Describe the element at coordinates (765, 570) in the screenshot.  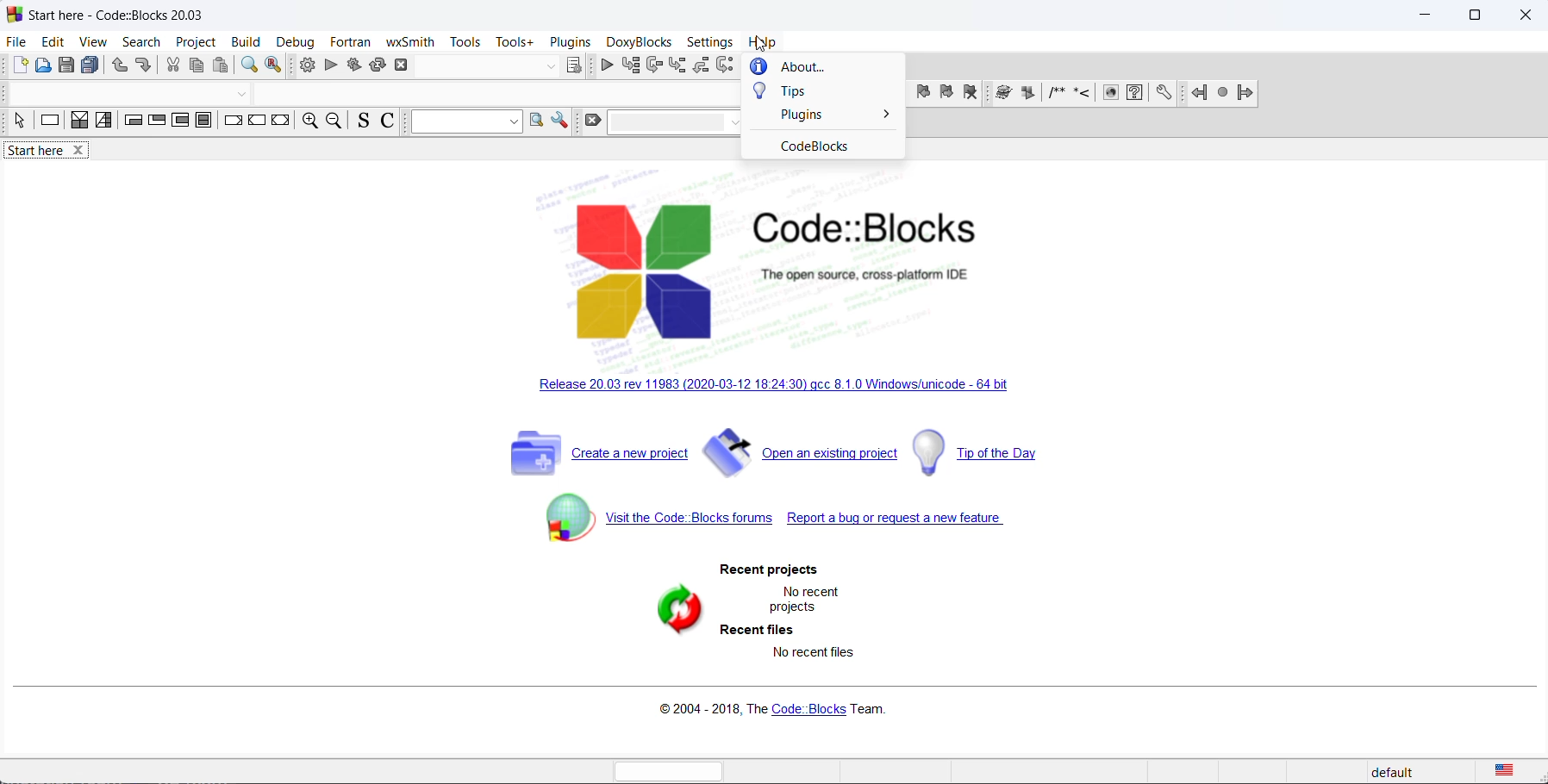
I see `recent projects` at that location.